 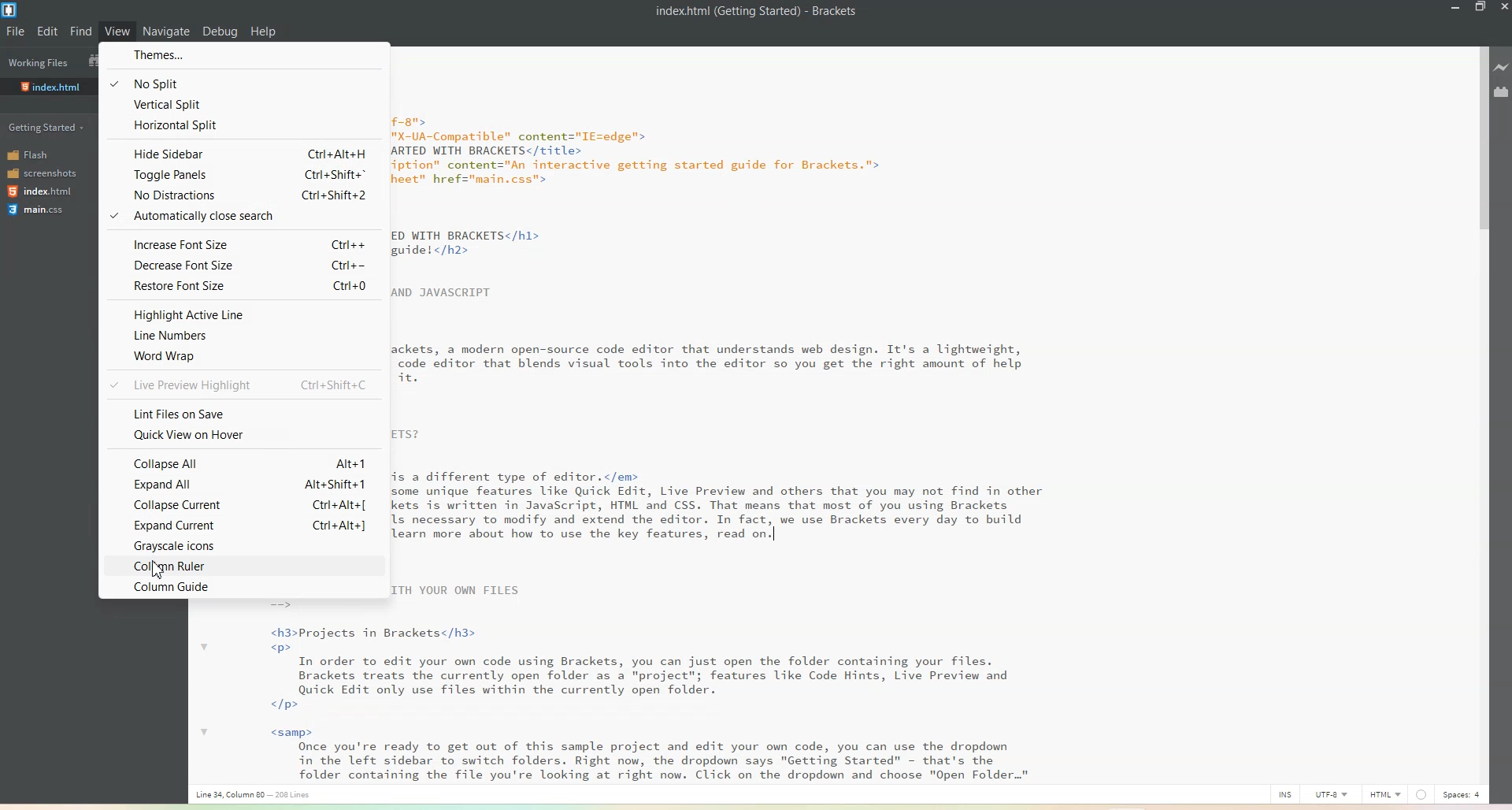 I want to click on cursor, so click(x=159, y=569).